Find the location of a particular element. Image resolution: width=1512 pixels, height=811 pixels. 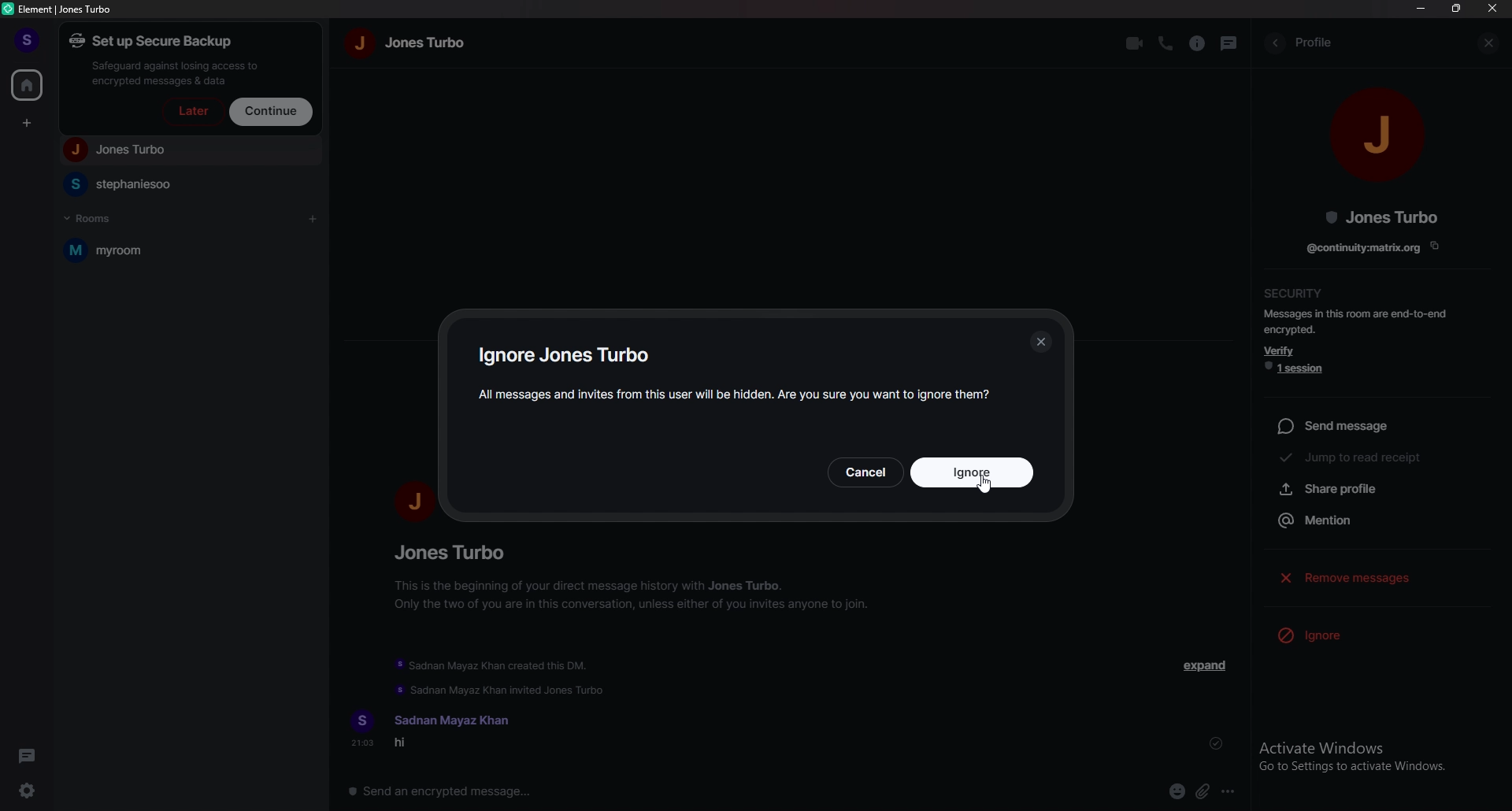

message is located at coordinates (444, 745).